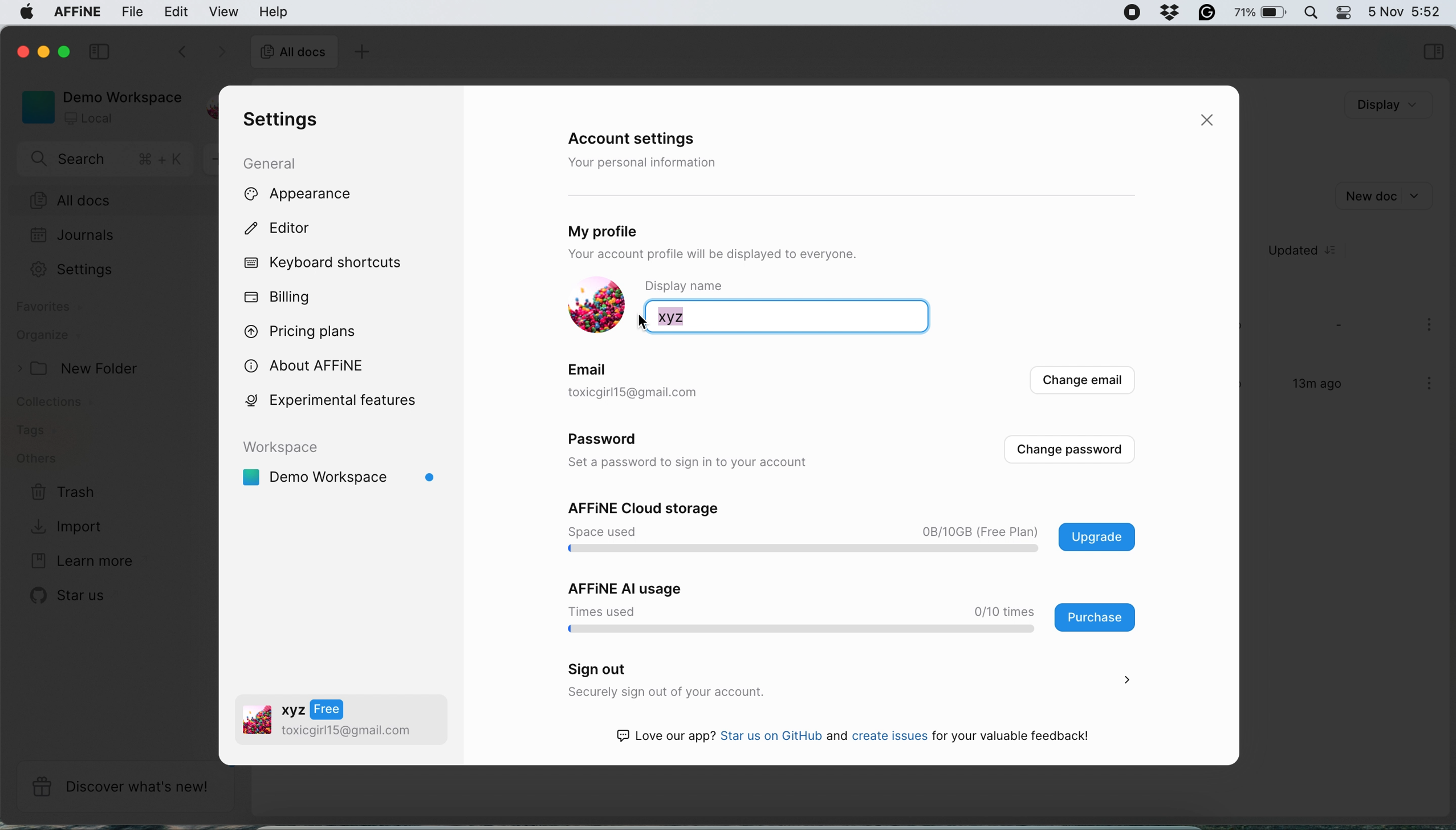 The width and height of the screenshot is (1456, 830). I want to click on file, so click(133, 12).